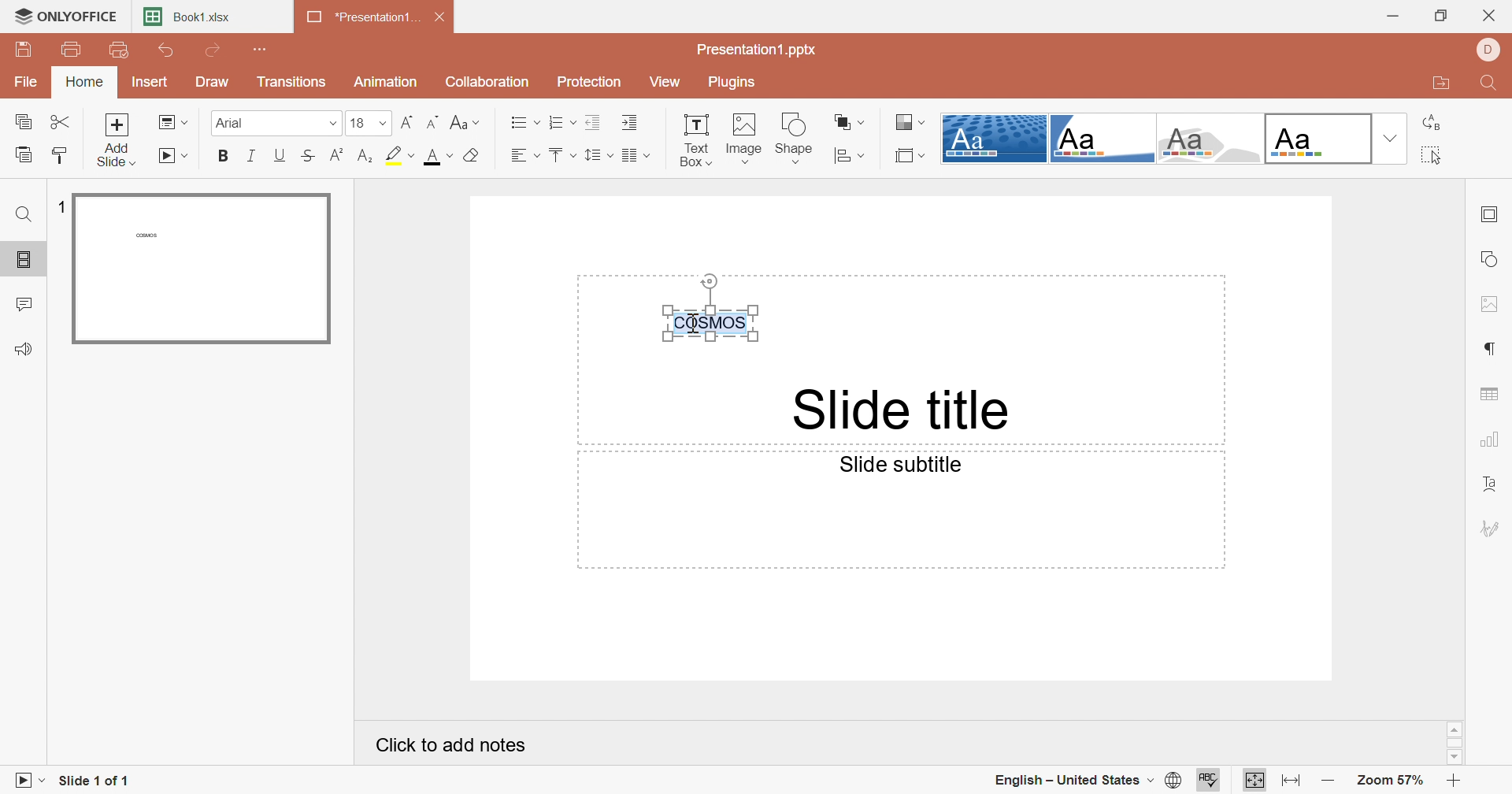 The width and height of the screenshot is (1512, 794). What do you see at coordinates (209, 50) in the screenshot?
I see `Redo` at bounding box center [209, 50].